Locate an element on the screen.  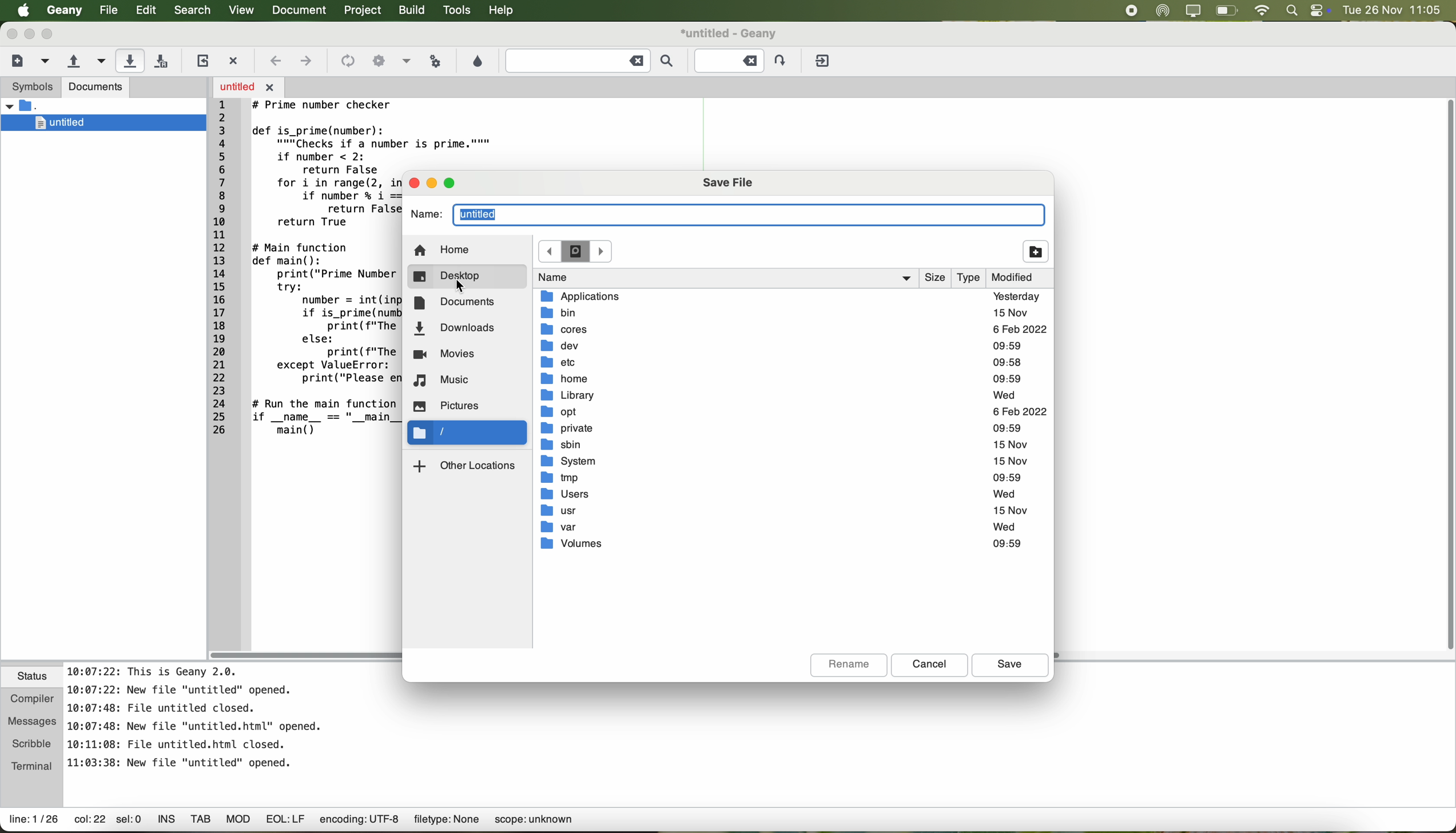
pictures is located at coordinates (450, 406).